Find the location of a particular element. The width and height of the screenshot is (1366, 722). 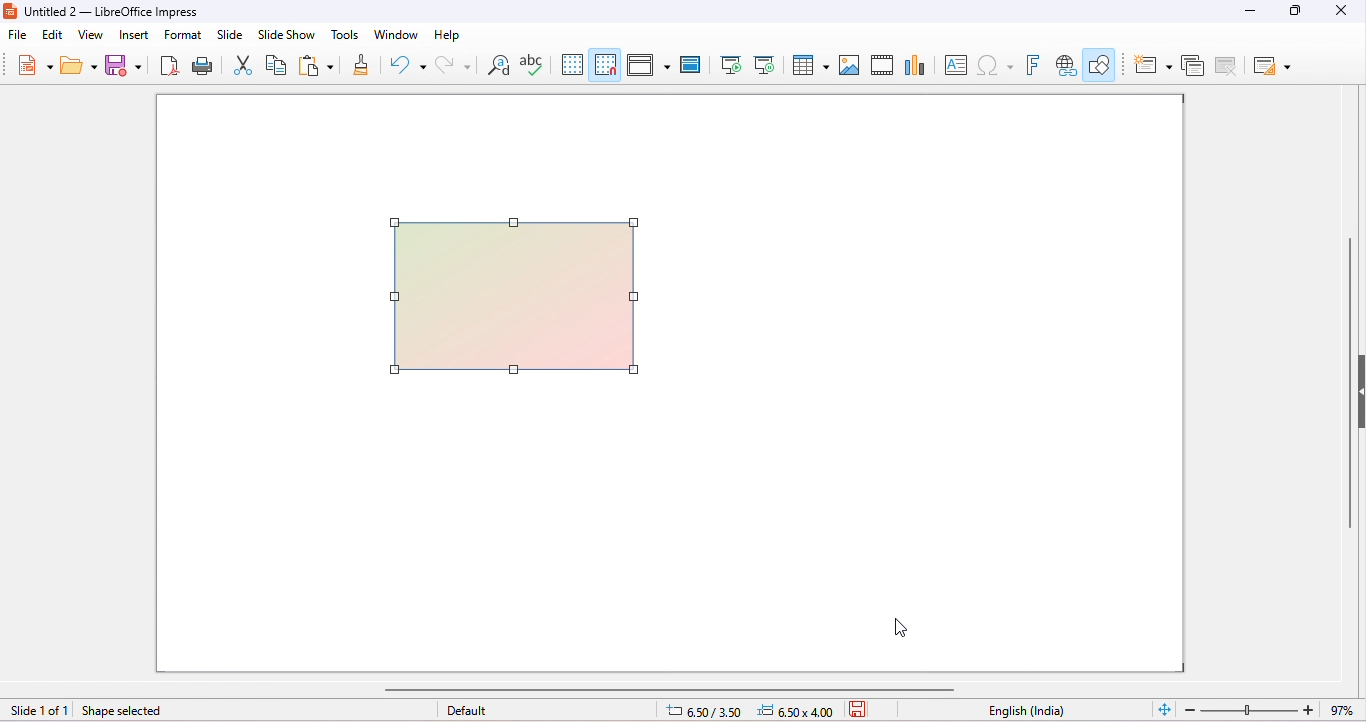

slide show is located at coordinates (285, 34).